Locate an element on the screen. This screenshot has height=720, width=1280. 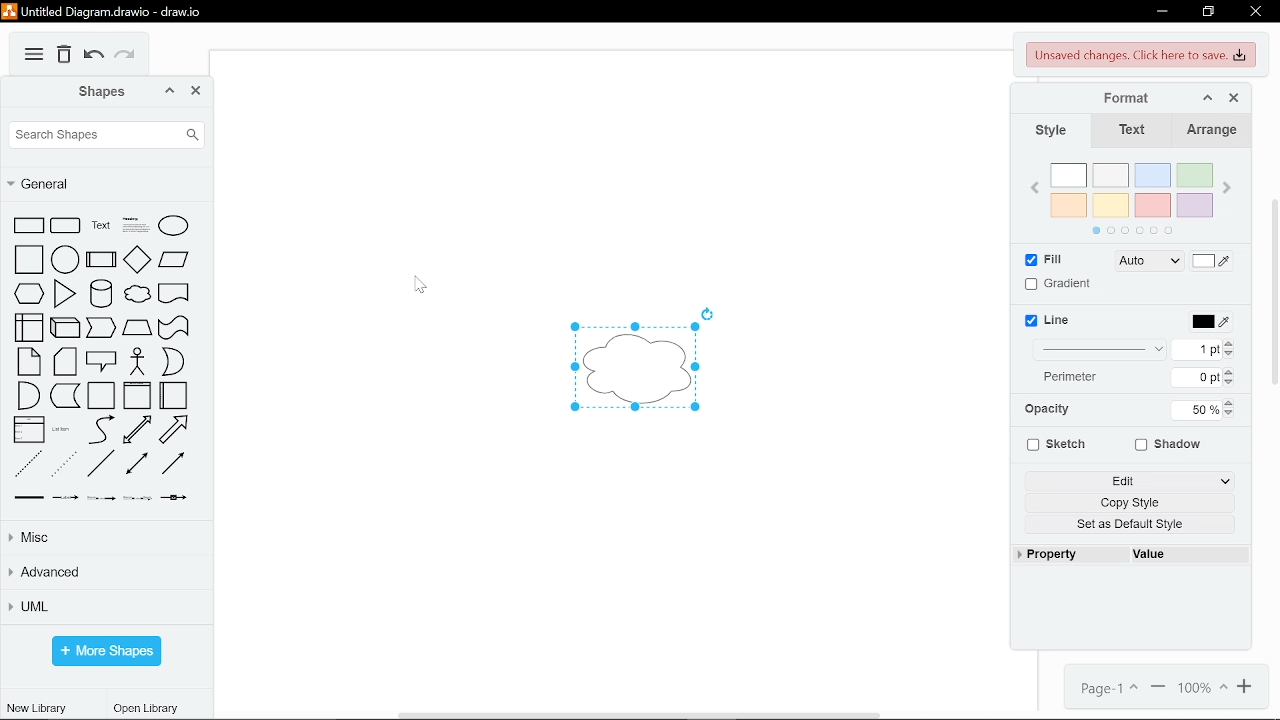
actor is located at coordinates (138, 362).